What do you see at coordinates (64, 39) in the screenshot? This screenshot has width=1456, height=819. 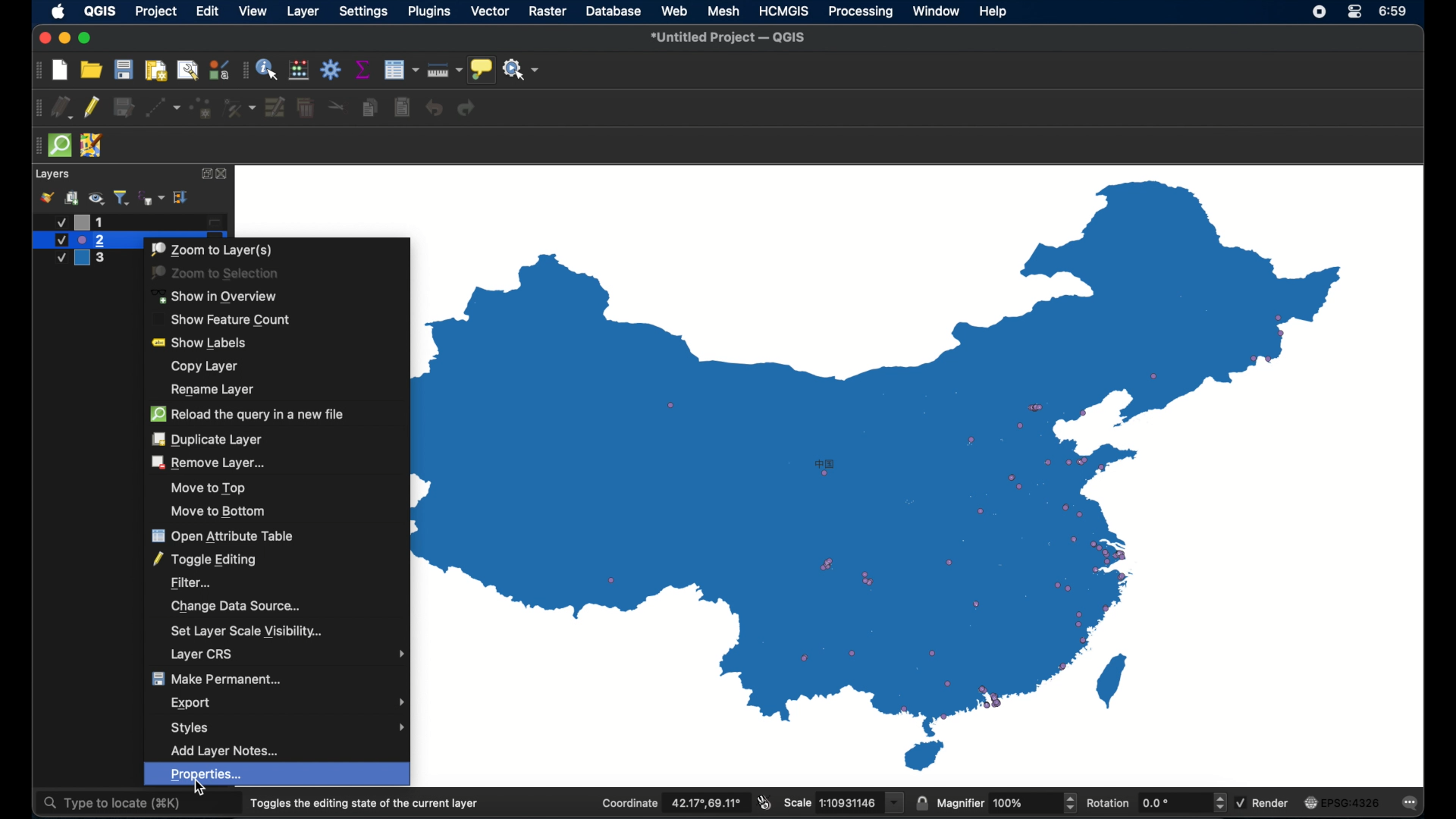 I see `minimize` at bounding box center [64, 39].